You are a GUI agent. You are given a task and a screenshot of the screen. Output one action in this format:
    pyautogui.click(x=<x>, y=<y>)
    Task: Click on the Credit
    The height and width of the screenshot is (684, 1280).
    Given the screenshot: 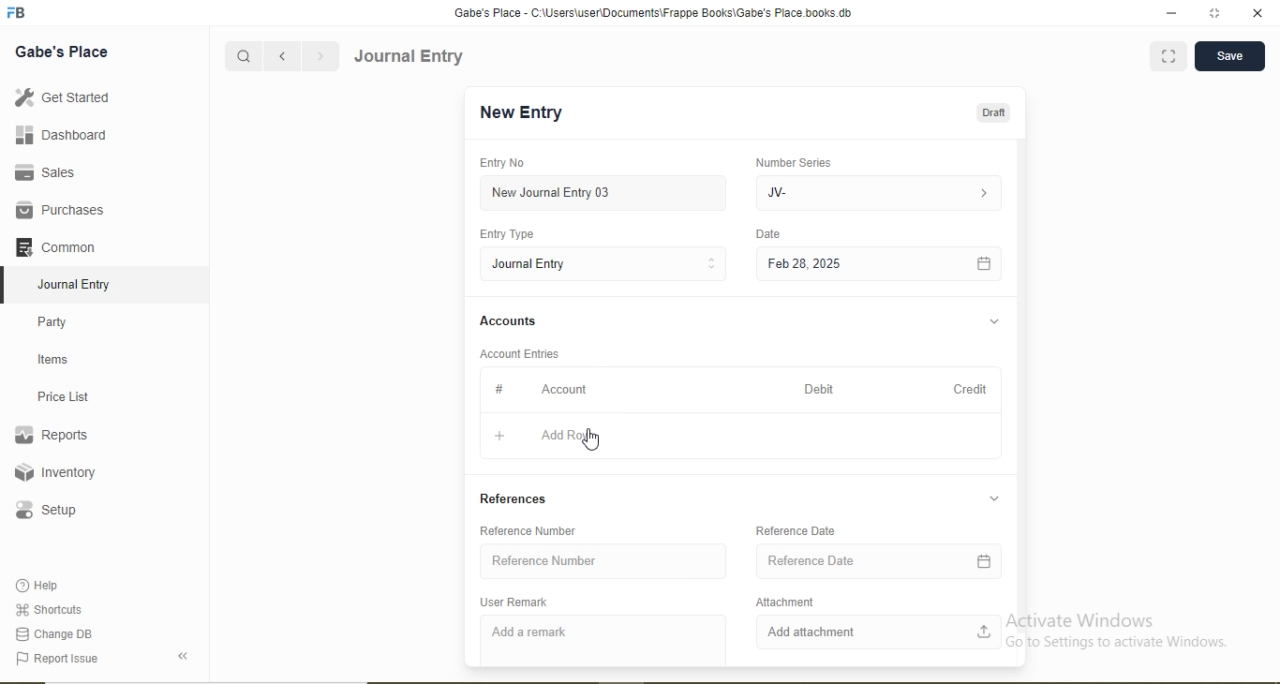 What is the action you would take?
    pyautogui.click(x=970, y=389)
    